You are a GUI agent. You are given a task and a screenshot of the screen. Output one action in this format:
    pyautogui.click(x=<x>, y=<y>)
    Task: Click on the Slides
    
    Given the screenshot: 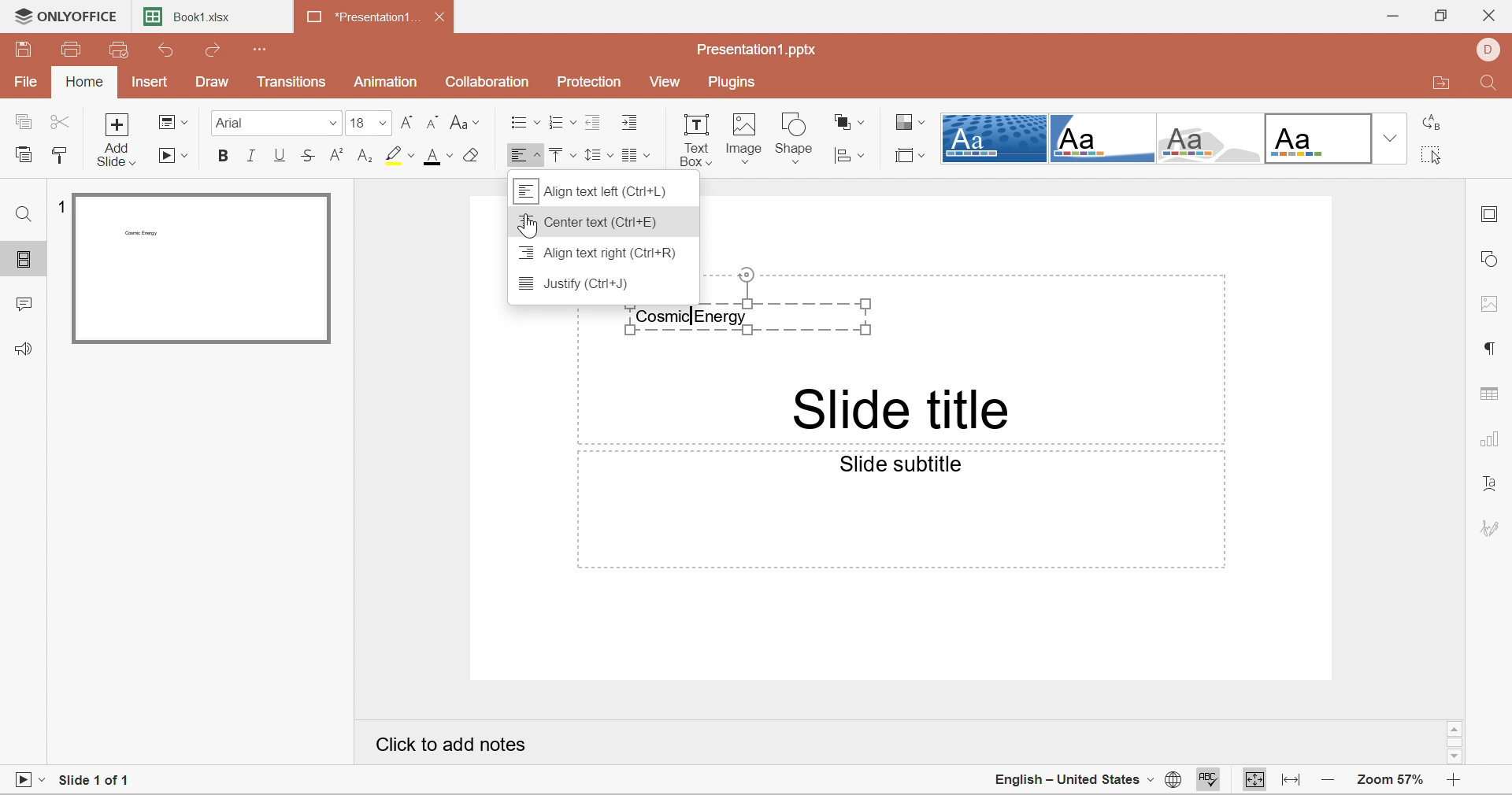 What is the action you would take?
    pyautogui.click(x=25, y=260)
    